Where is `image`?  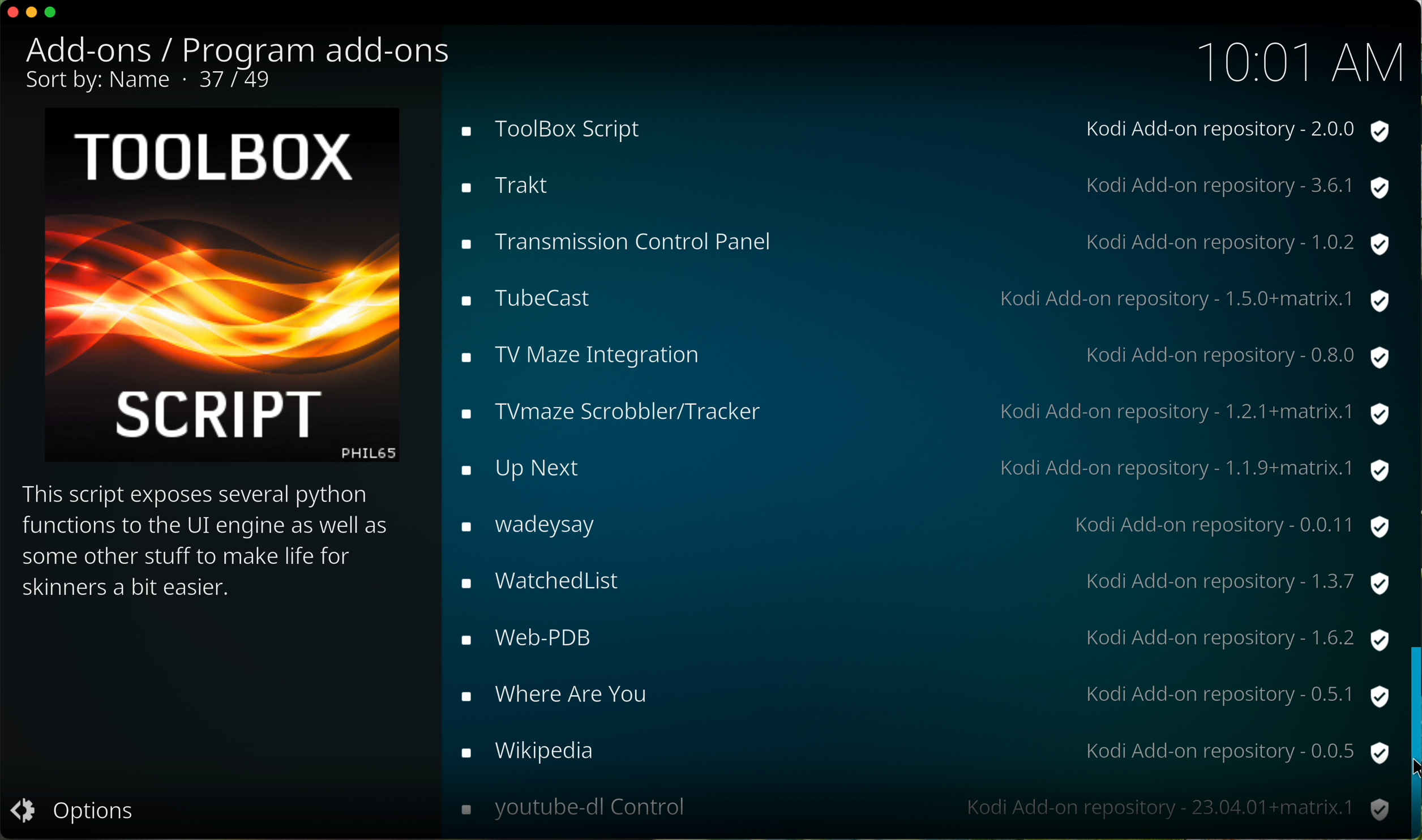 image is located at coordinates (219, 292).